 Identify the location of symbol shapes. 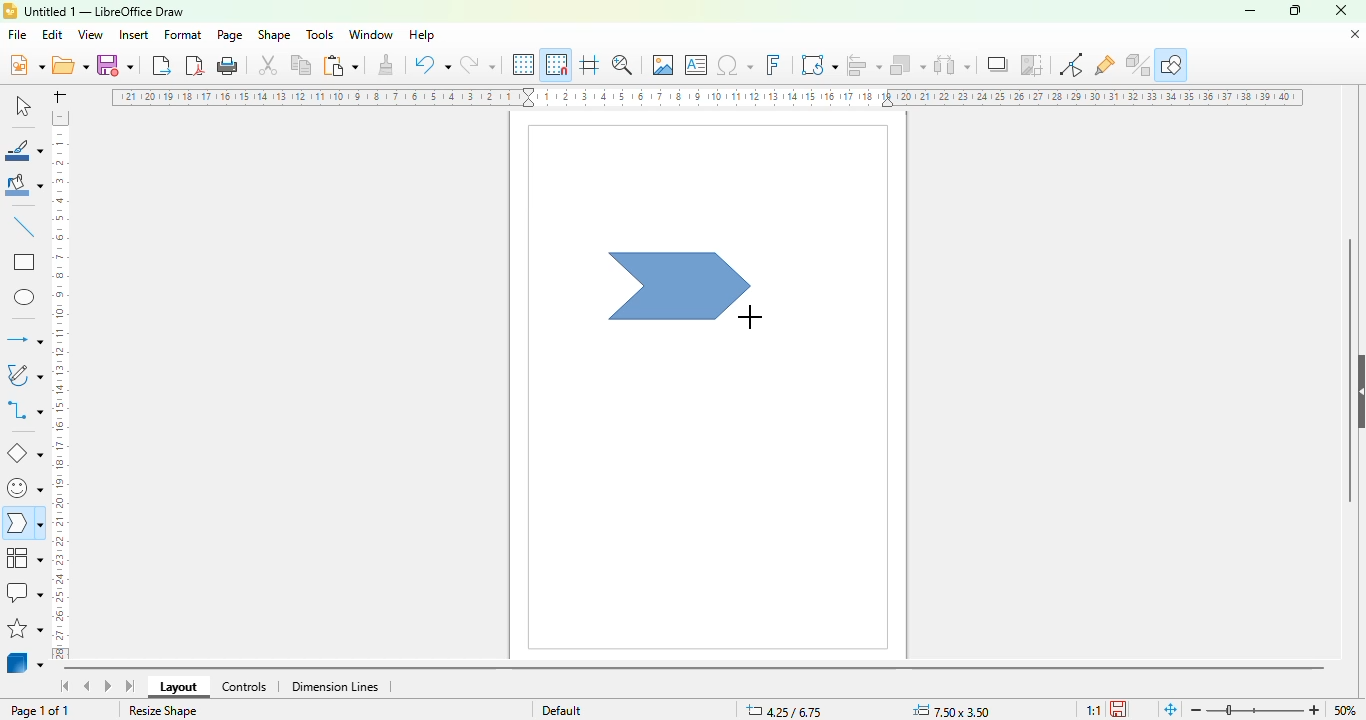
(23, 489).